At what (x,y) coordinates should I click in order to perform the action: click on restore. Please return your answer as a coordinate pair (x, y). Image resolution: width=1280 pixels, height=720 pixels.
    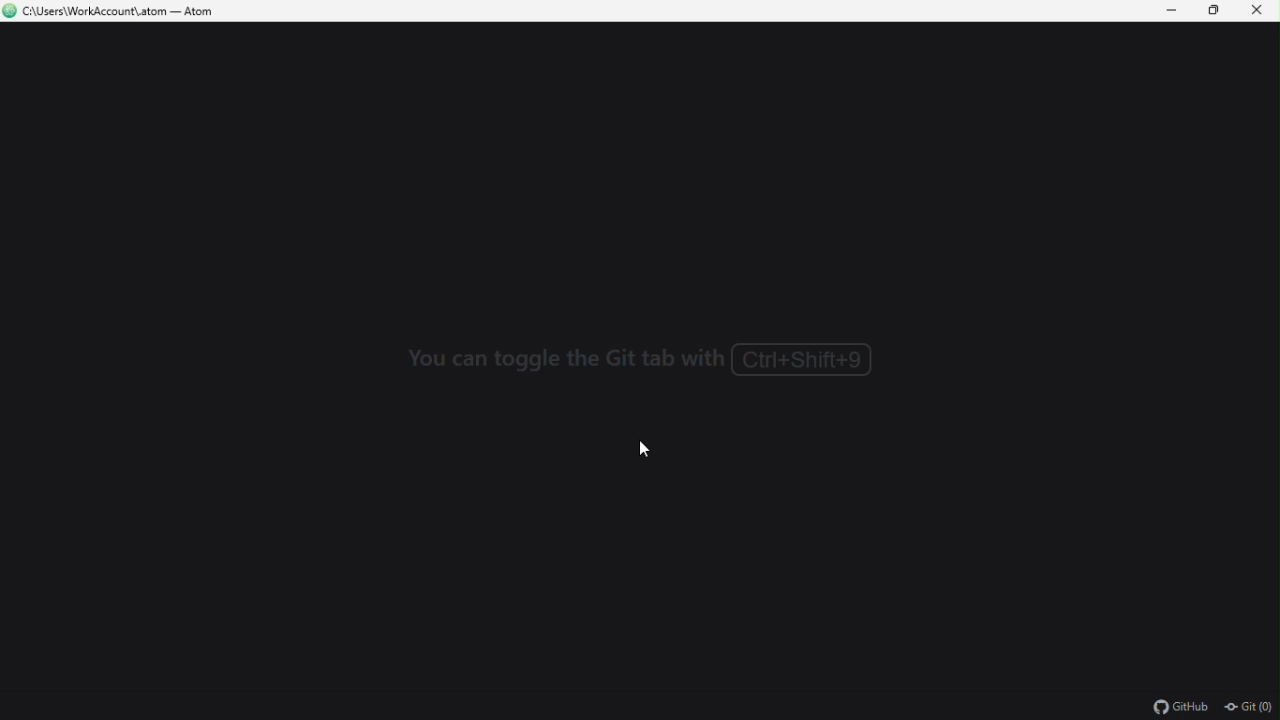
    Looking at the image, I should click on (1215, 12).